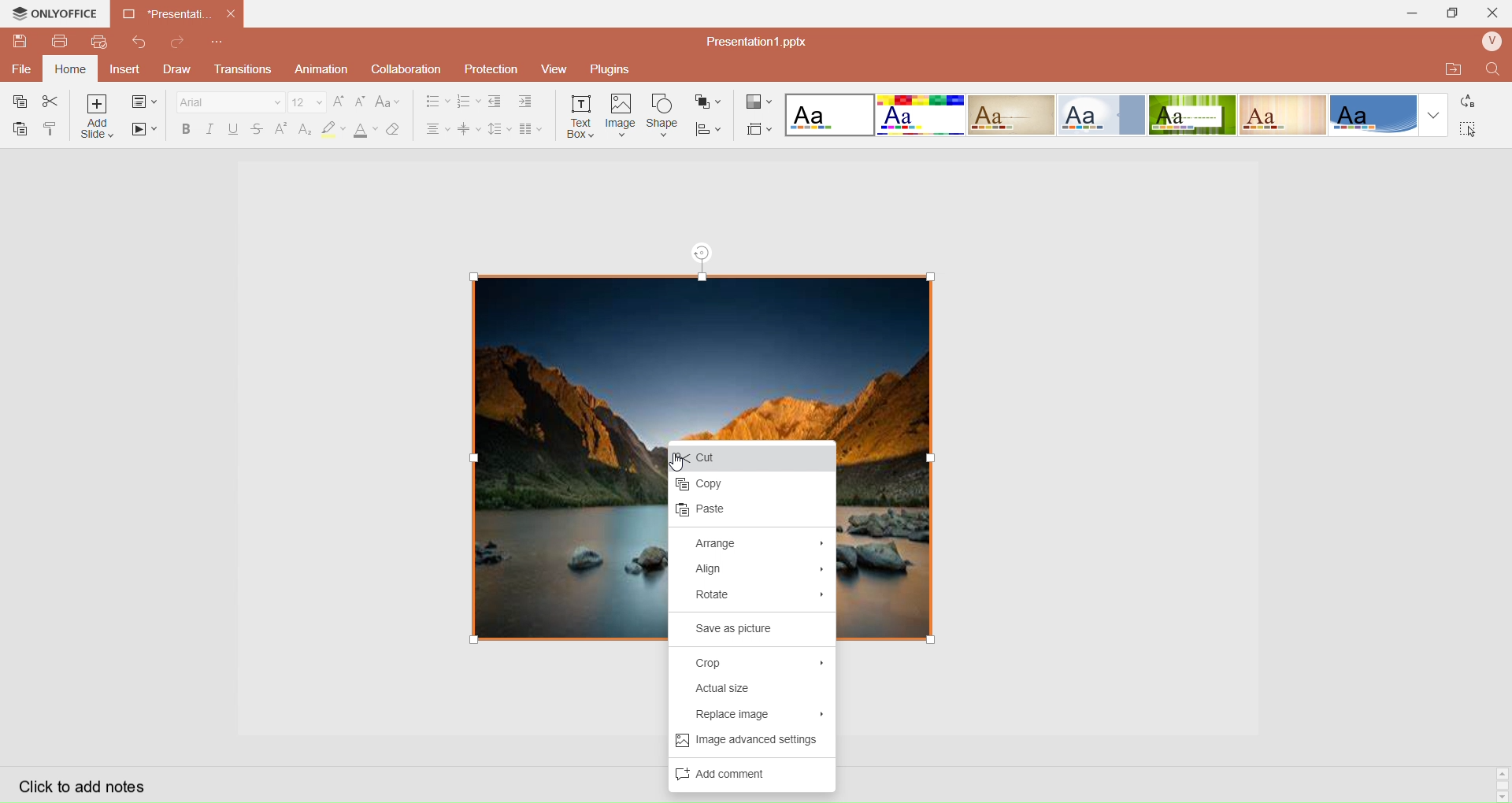 This screenshot has width=1512, height=803. I want to click on Insert Shape, so click(663, 116).